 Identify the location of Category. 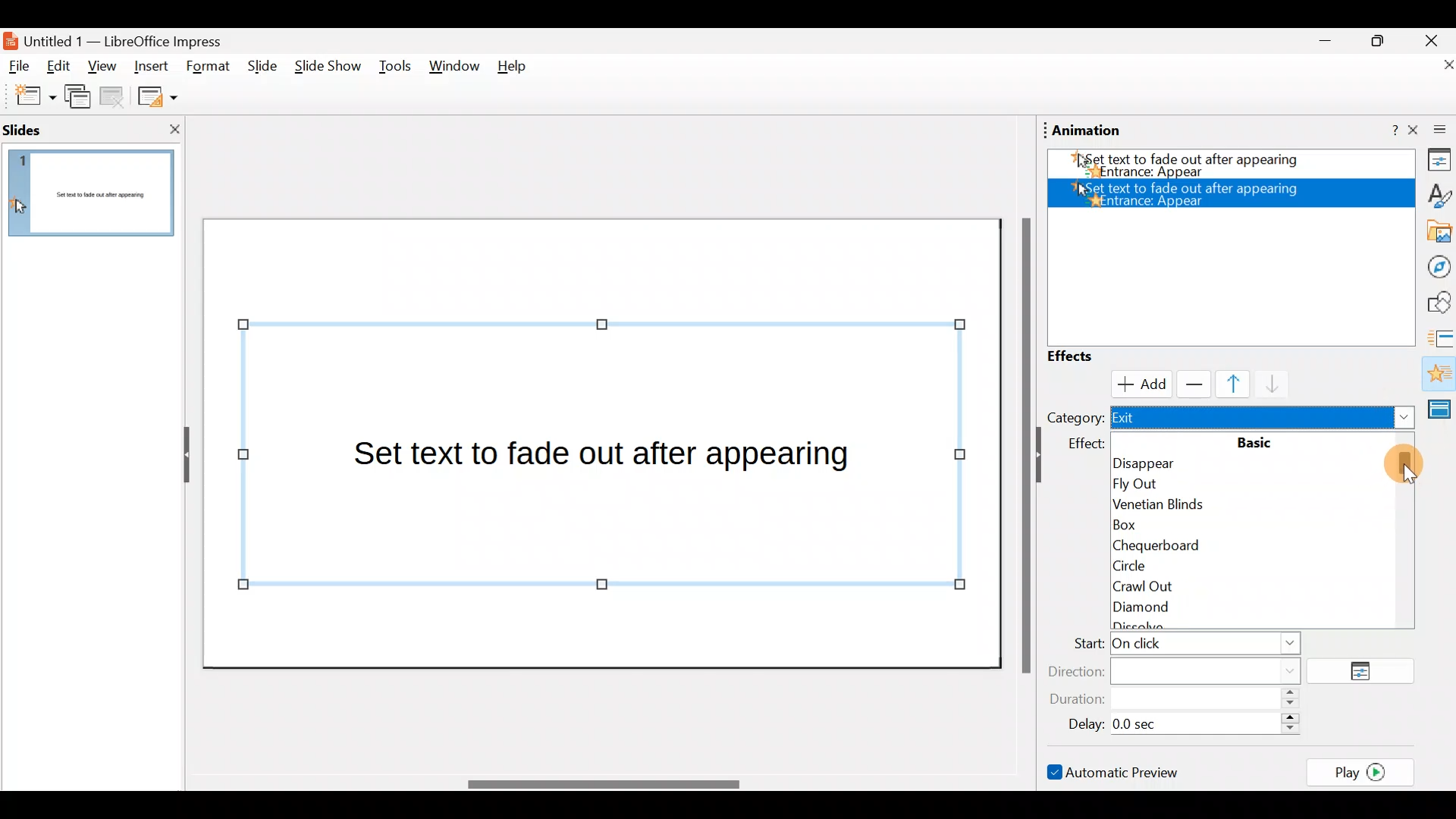
(1075, 417).